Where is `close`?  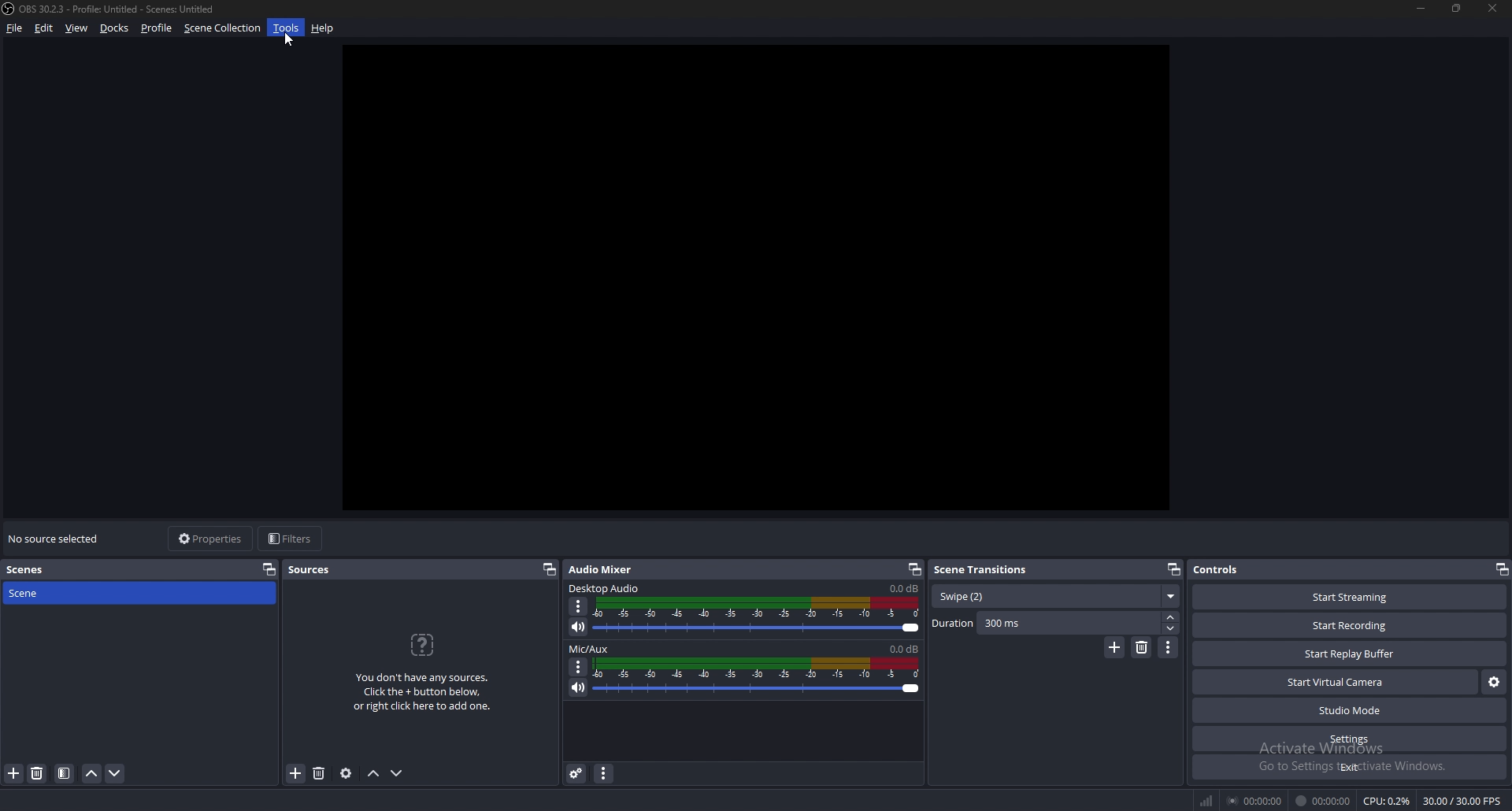
close is located at coordinates (1489, 7).